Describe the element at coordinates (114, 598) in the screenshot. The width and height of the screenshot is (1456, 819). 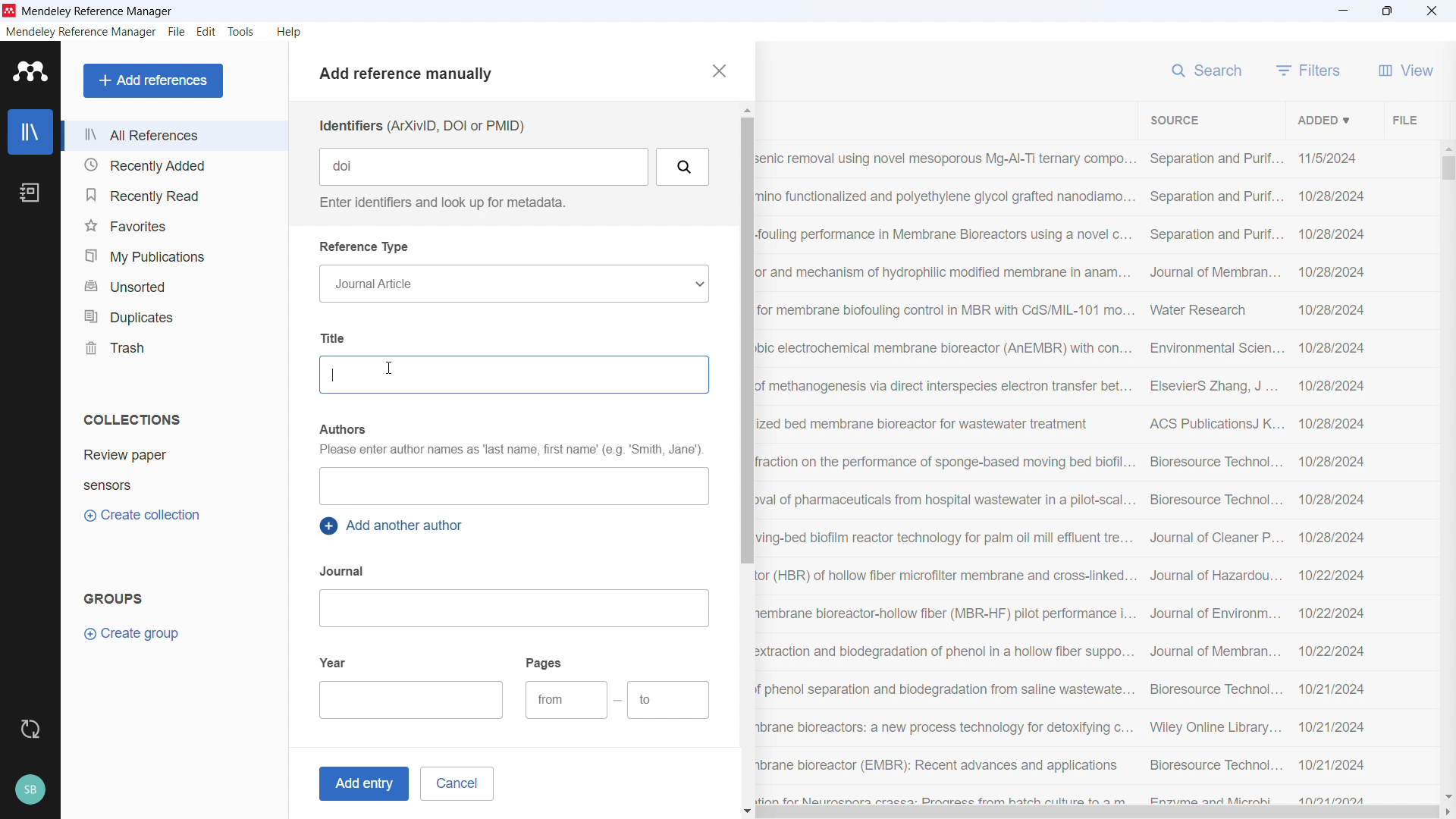
I see `Groups ` at that location.